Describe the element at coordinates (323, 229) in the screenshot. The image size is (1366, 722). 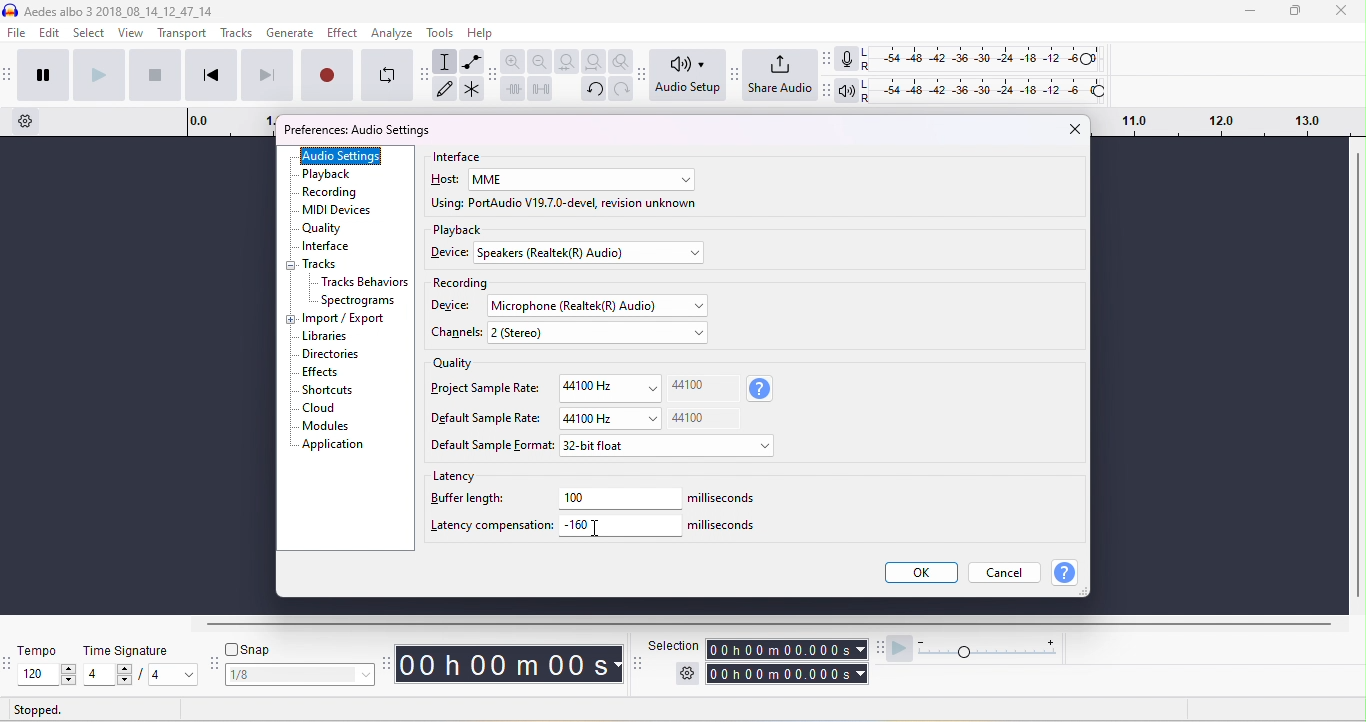
I see `quality` at that location.